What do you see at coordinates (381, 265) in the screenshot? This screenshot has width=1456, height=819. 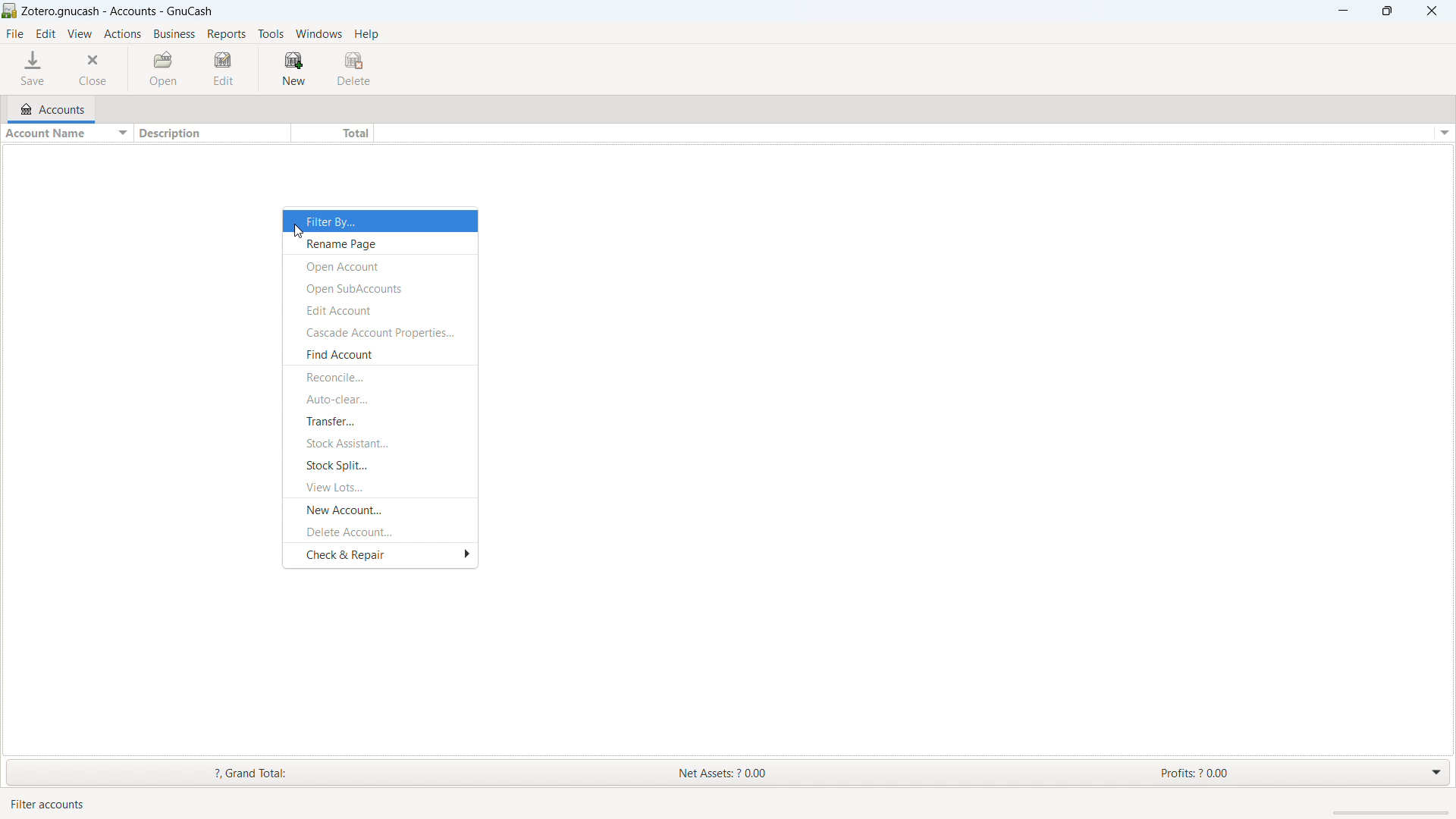 I see `open account` at bounding box center [381, 265].